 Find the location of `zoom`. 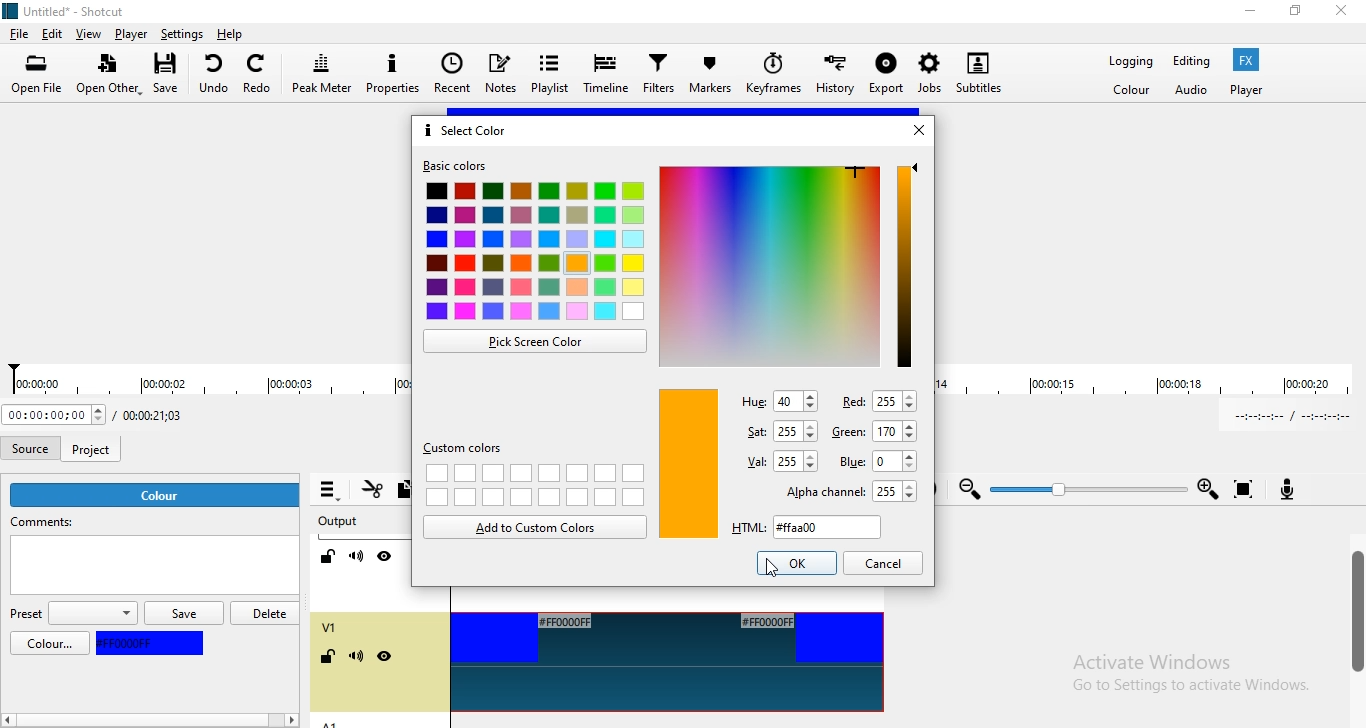

zoom is located at coordinates (962, 492).